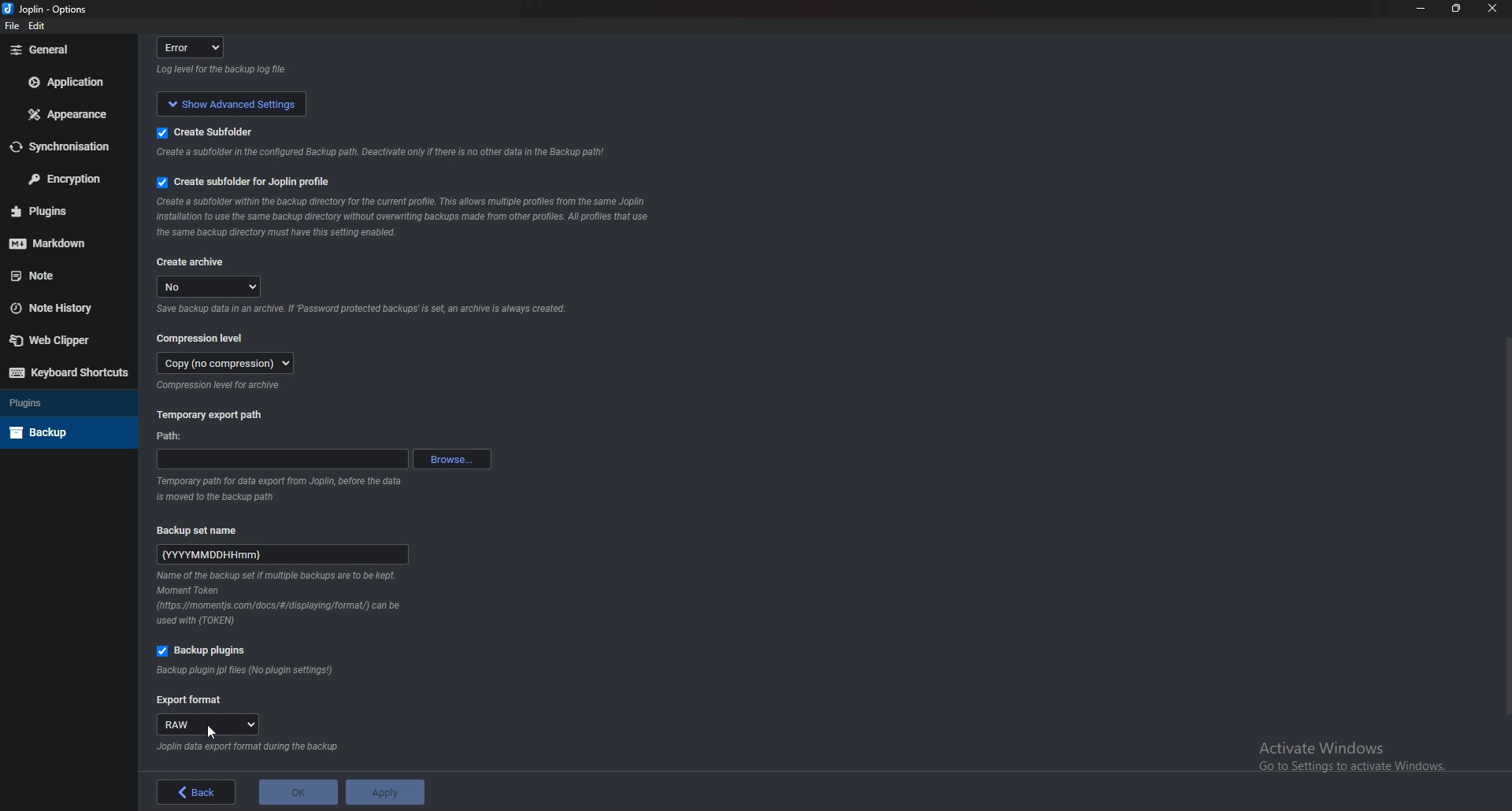 The height and width of the screenshot is (811, 1512). I want to click on Backup plugins, so click(207, 651).